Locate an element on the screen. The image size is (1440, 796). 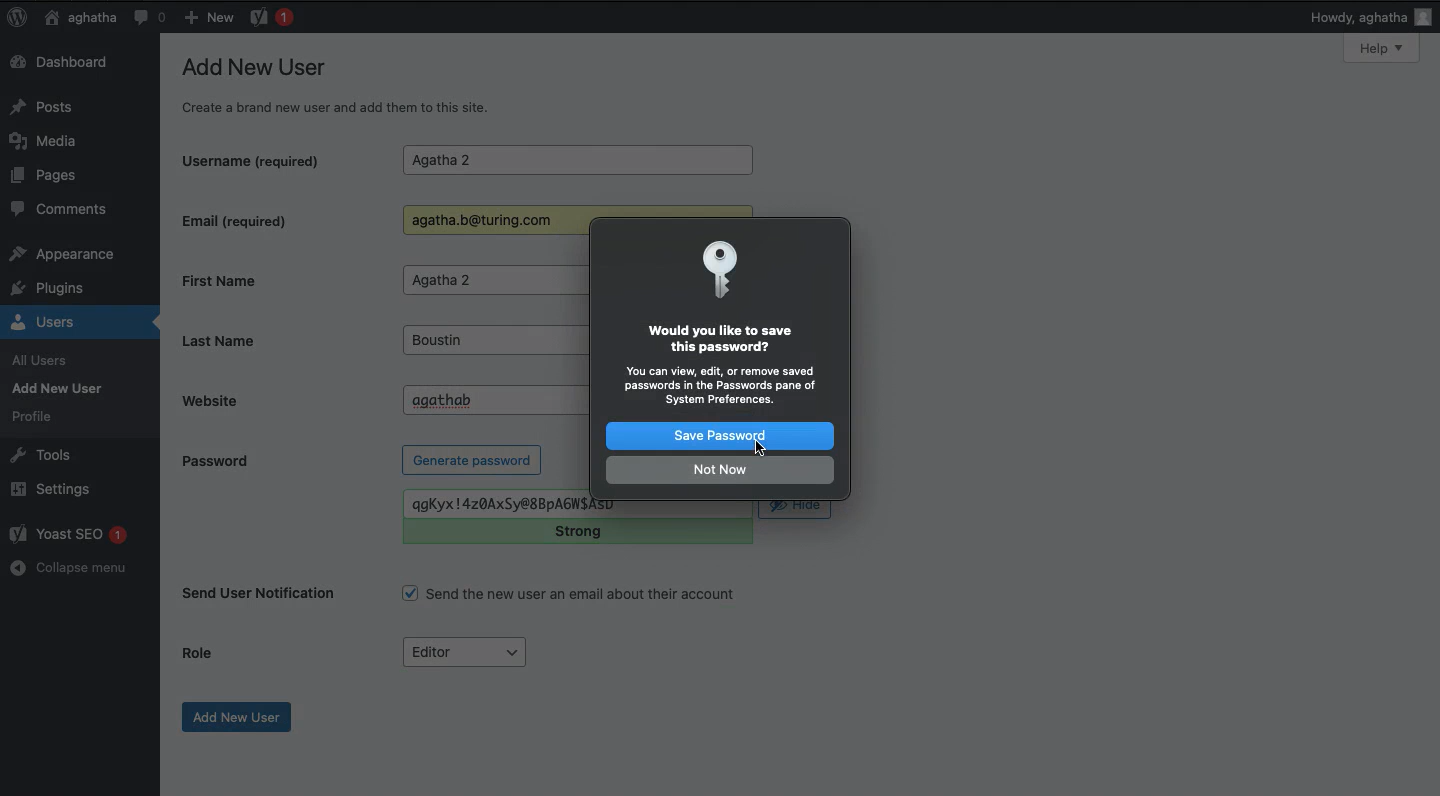
 add new user is located at coordinates (238, 718).